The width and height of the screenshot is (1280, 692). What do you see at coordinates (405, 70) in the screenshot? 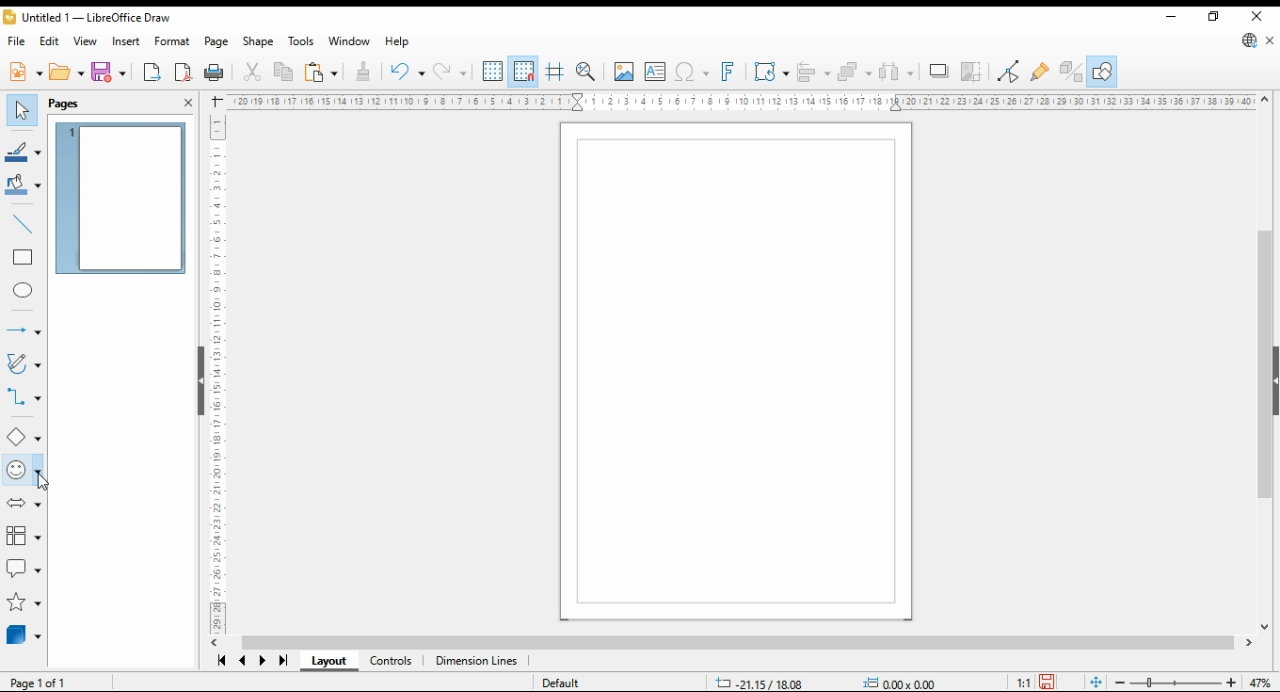
I see `undo` at bounding box center [405, 70].